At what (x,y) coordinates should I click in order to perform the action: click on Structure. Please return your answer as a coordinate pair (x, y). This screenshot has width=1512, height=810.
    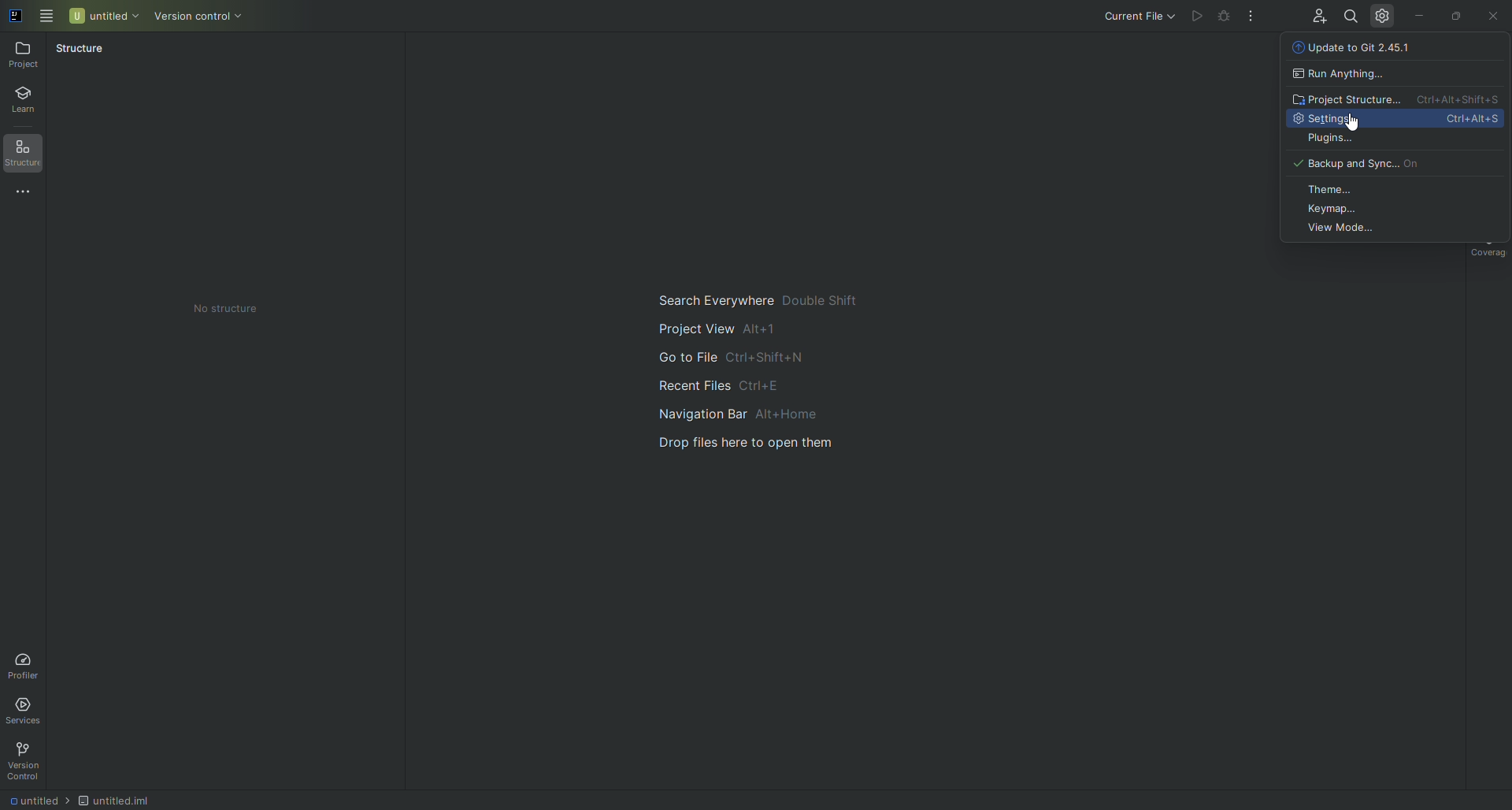
    Looking at the image, I should click on (80, 52).